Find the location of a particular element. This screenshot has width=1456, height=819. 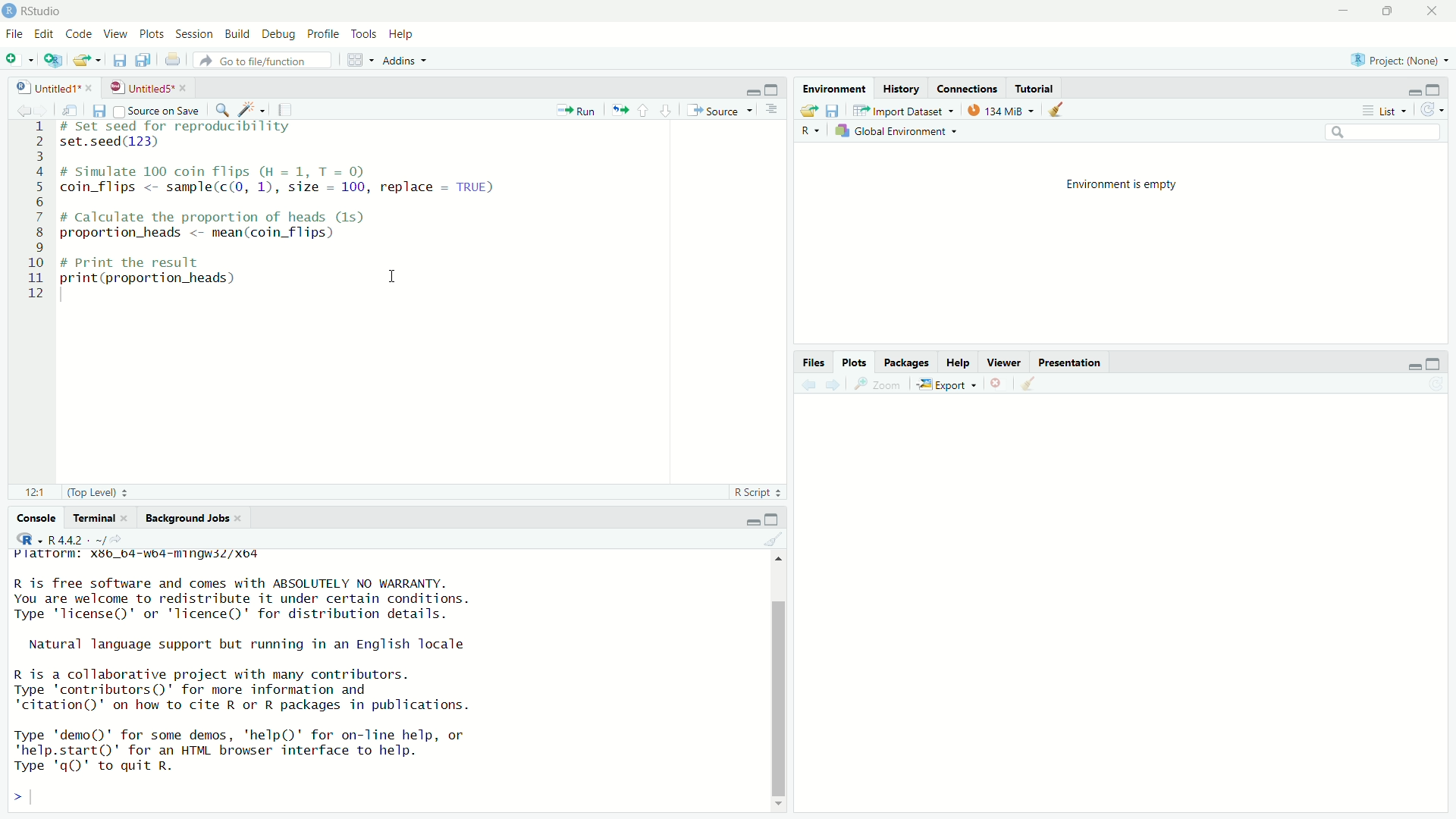

previous plot is located at coordinates (805, 385).